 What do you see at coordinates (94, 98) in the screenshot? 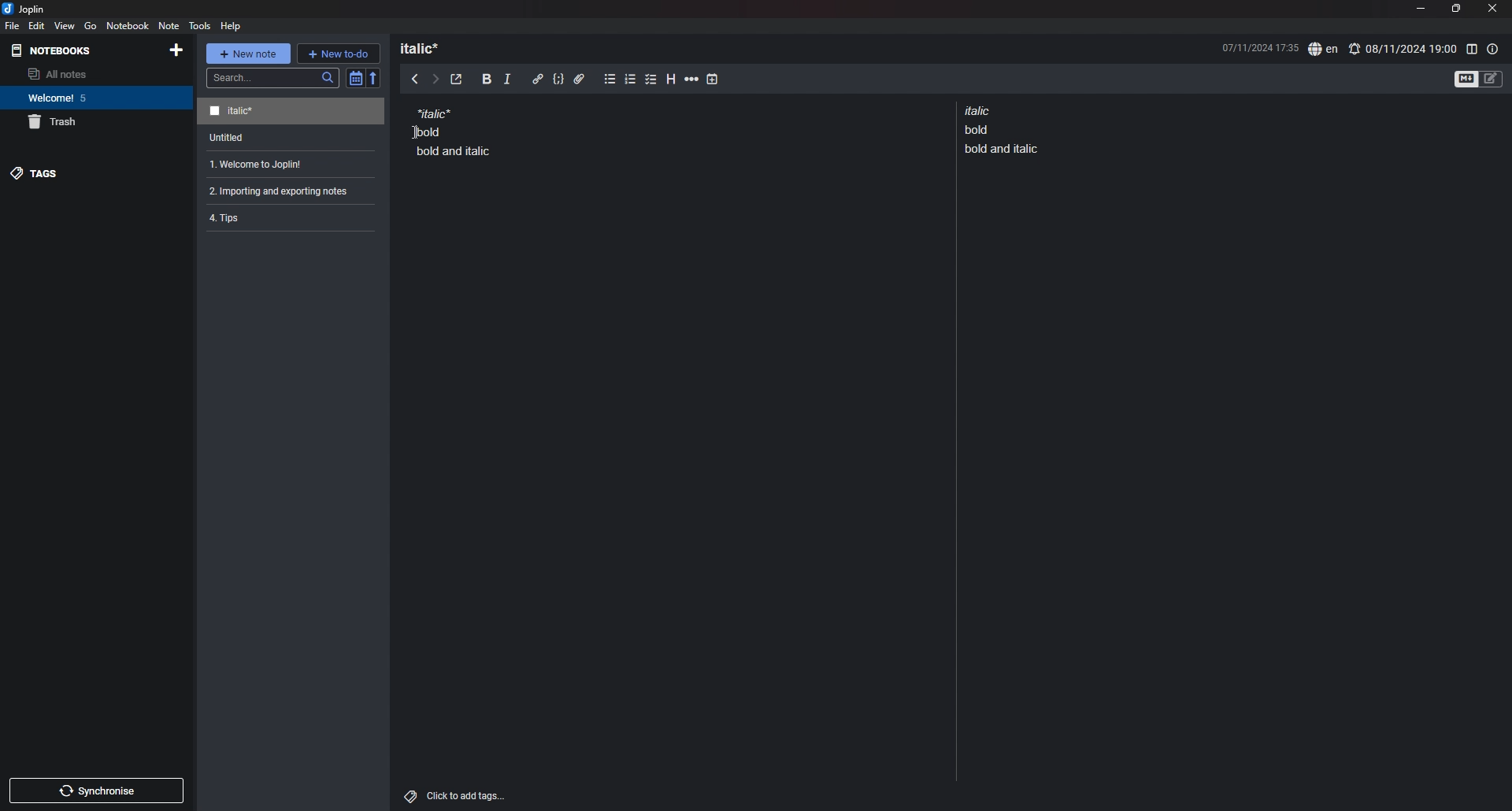
I see `notebook` at bounding box center [94, 98].